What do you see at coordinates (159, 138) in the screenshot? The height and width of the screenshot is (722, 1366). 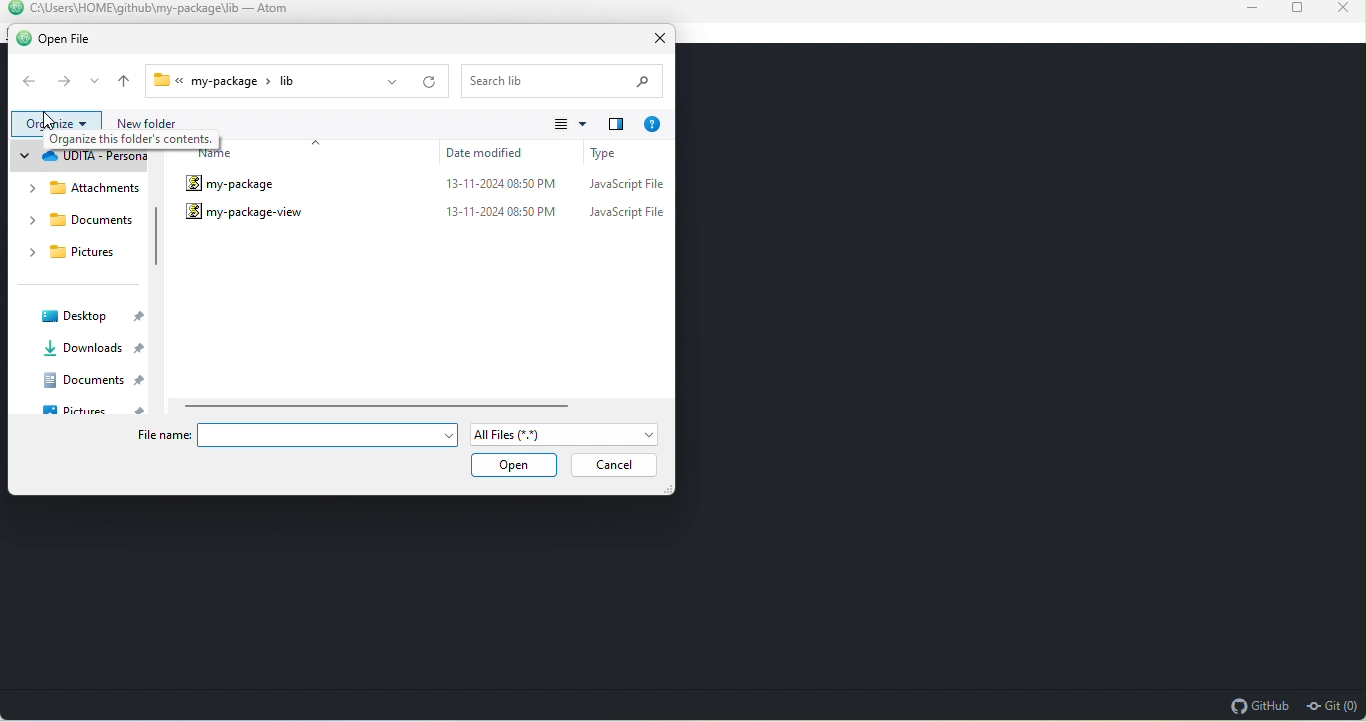 I see `organize this folders contents` at bounding box center [159, 138].